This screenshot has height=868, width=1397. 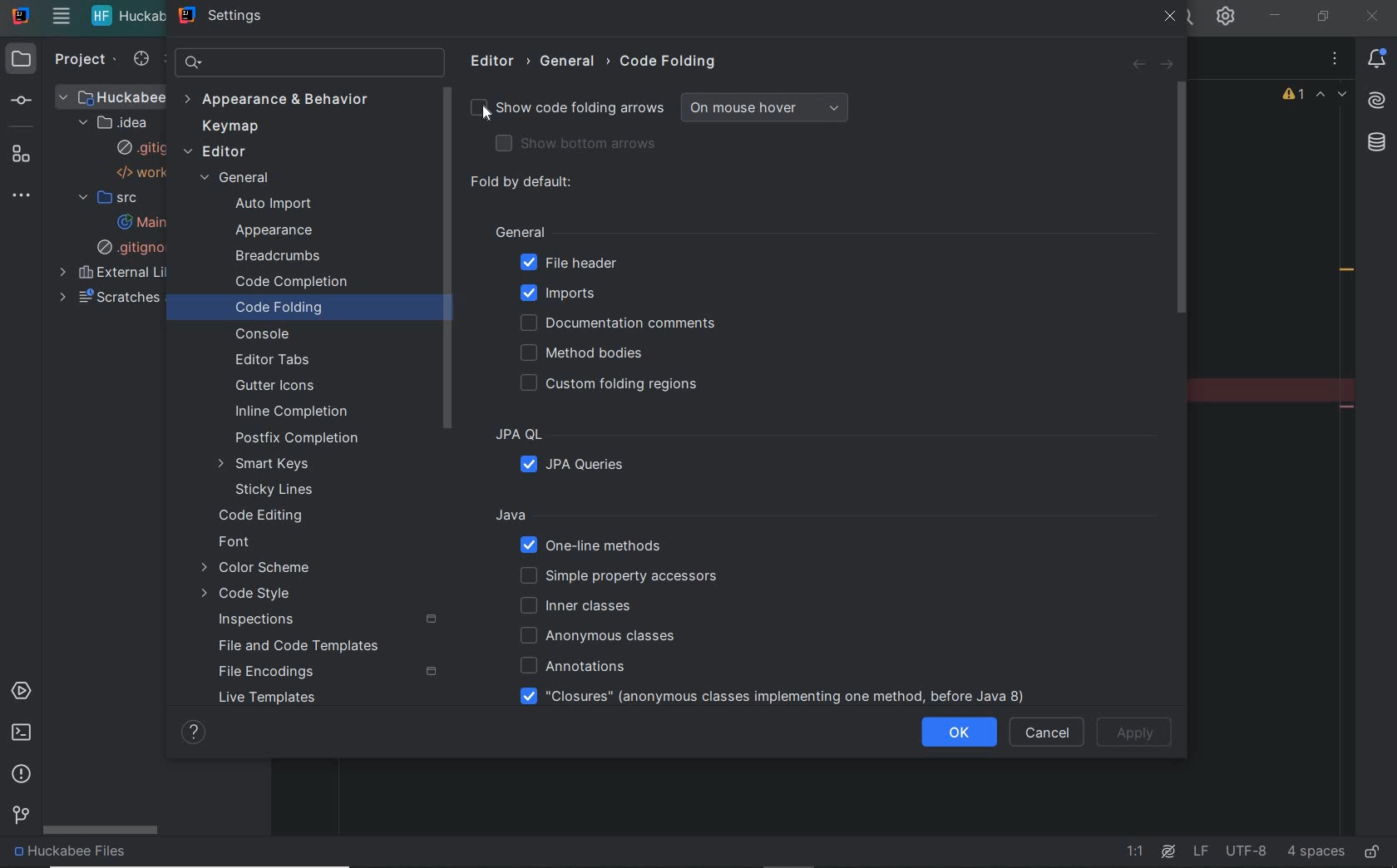 What do you see at coordinates (524, 182) in the screenshot?
I see `fold by default` at bounding box center [524, 182].